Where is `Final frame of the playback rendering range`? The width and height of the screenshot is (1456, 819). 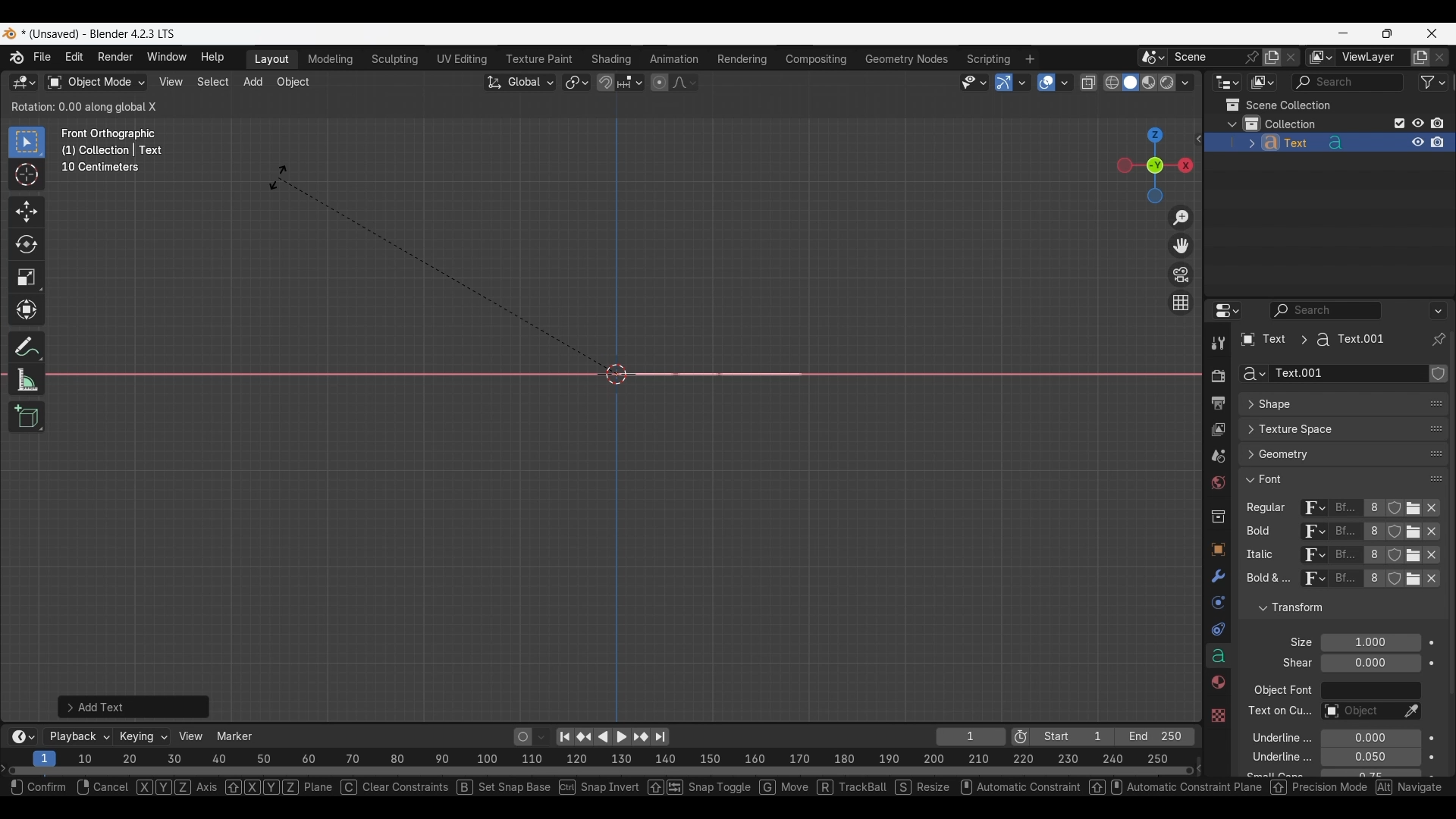
Final frame of the playback rendering range is located at coordinates (1112, 737).